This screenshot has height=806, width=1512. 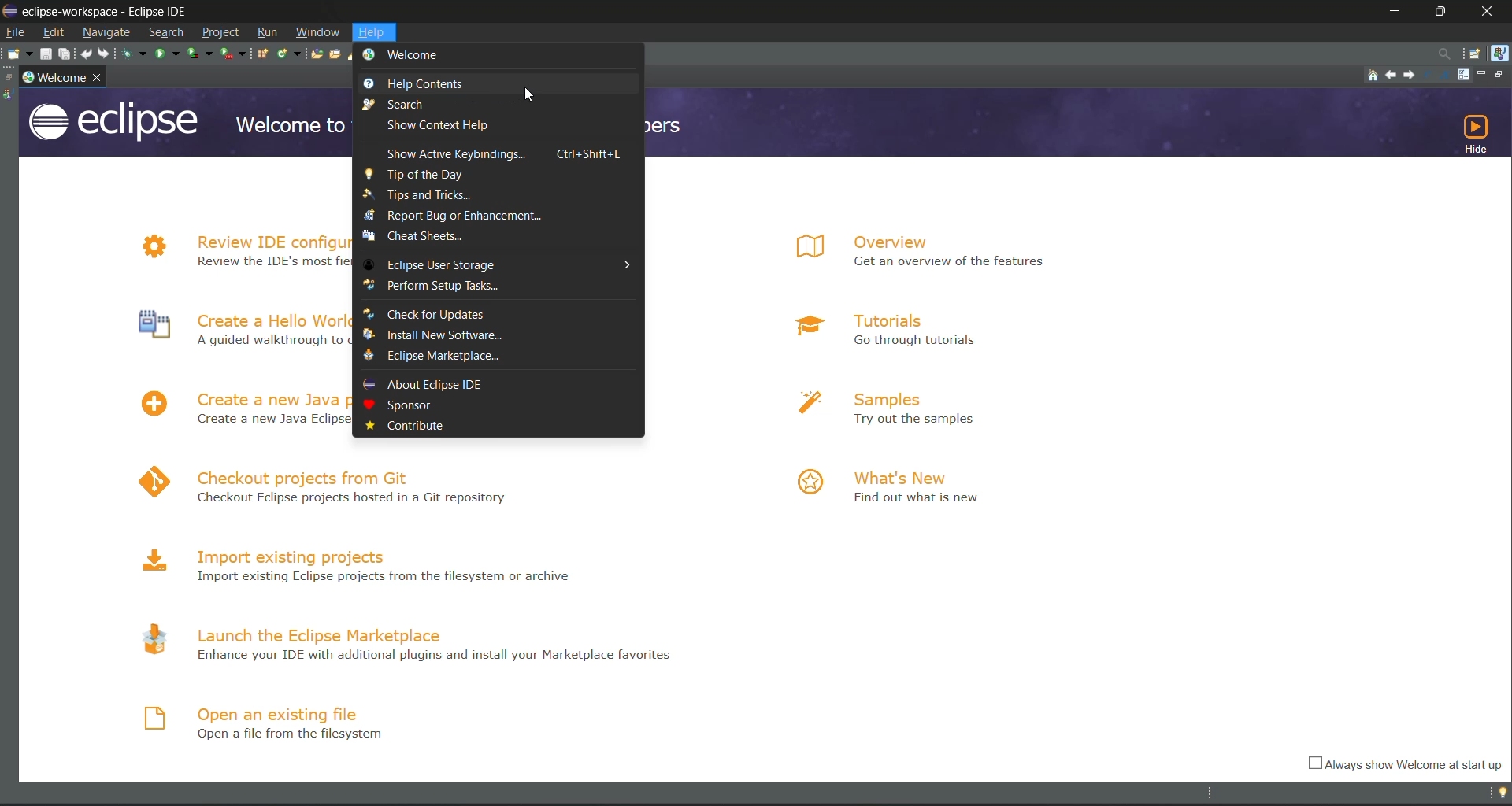 I want to click on help controls, so click(x=451, y=83).